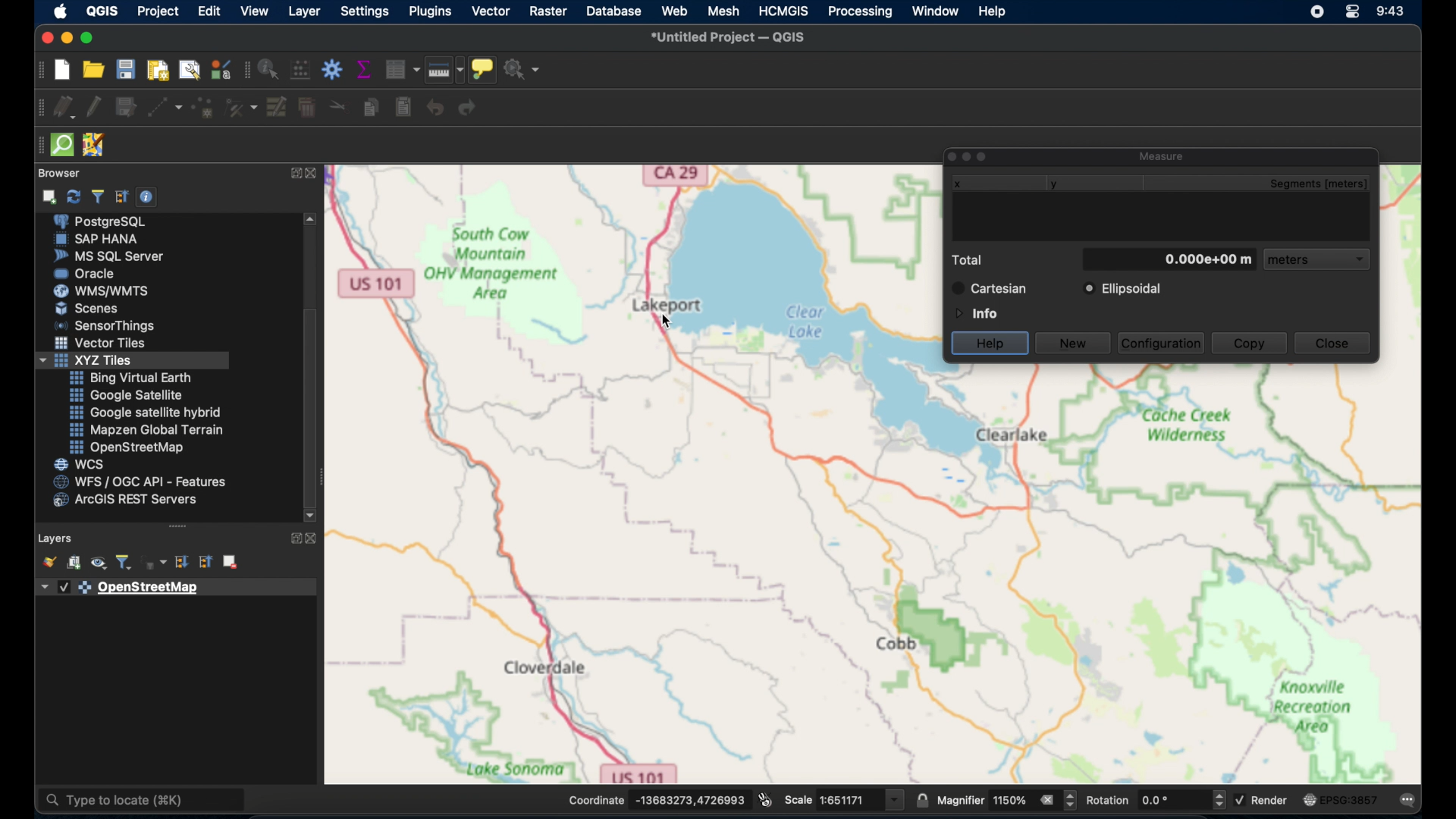 This screenshot has height=819, width=1456. What do you see at coordinates (1170, 259) in the screenshot?
I see `0.000e+00 m` at bounding box center [1170, 259].